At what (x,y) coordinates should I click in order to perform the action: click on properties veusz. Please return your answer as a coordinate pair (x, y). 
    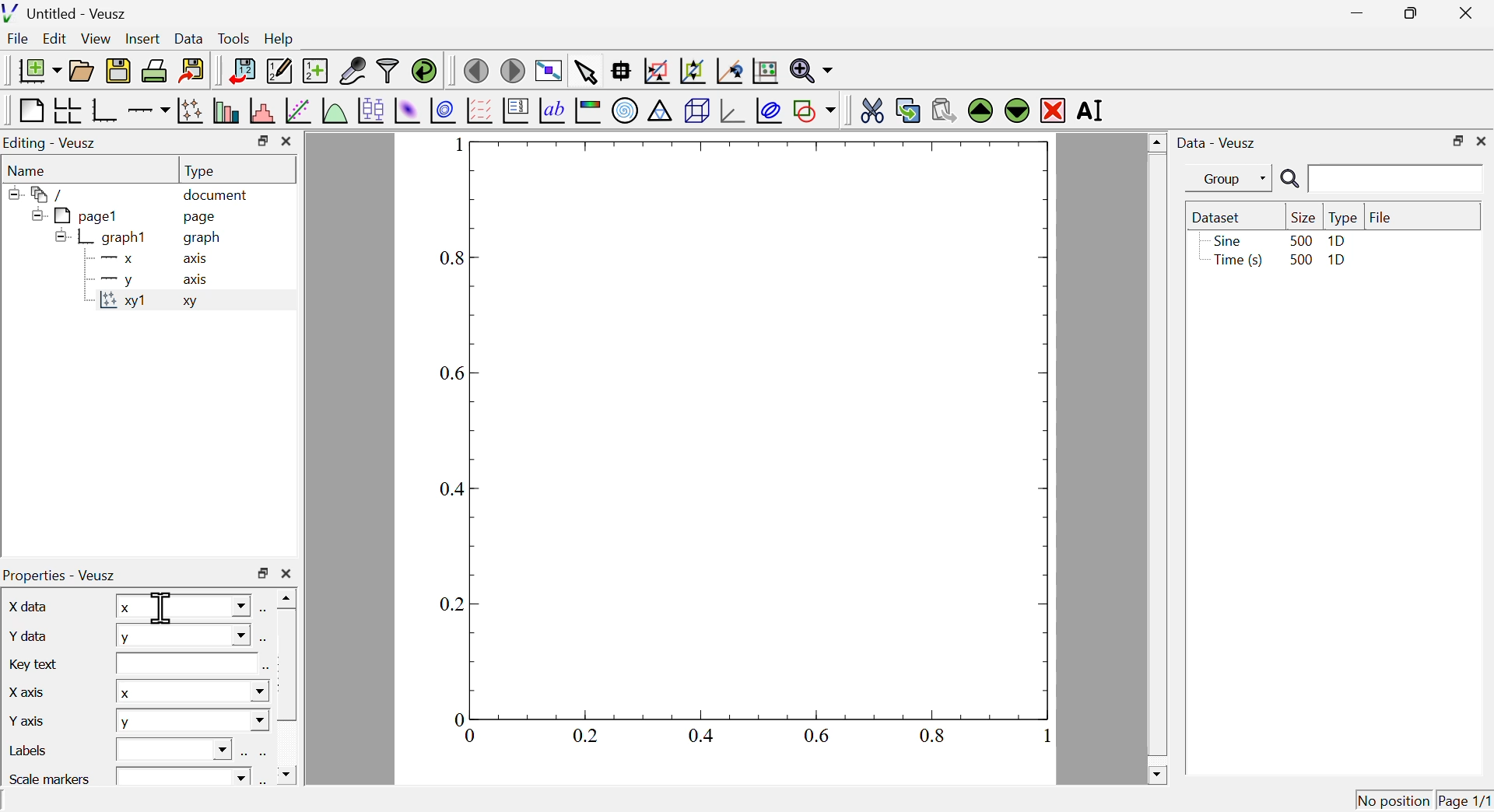
    Looking at the image, I should click on (65, 575).